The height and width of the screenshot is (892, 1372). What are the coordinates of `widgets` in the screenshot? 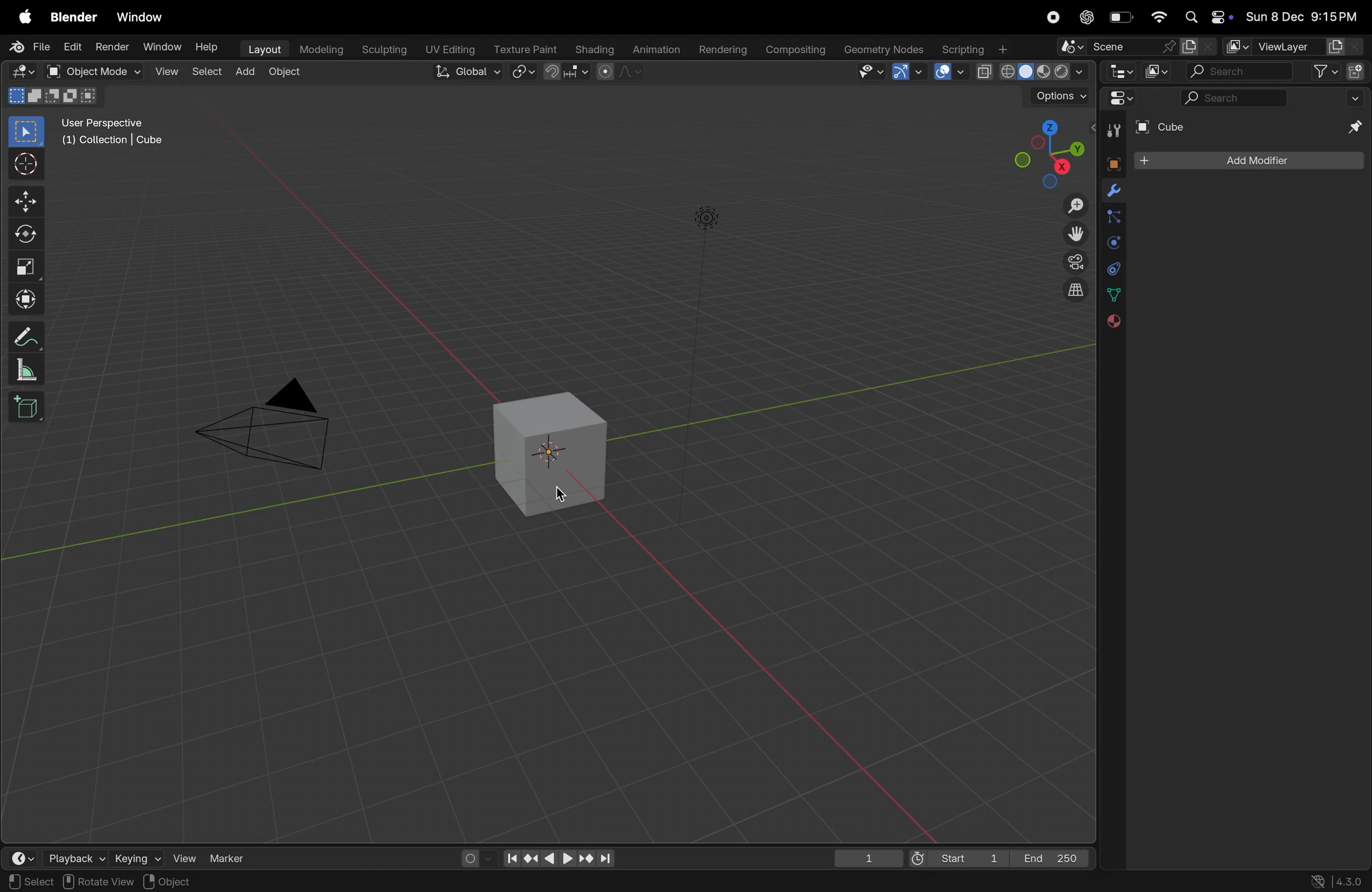 It's located at (1118, 99).